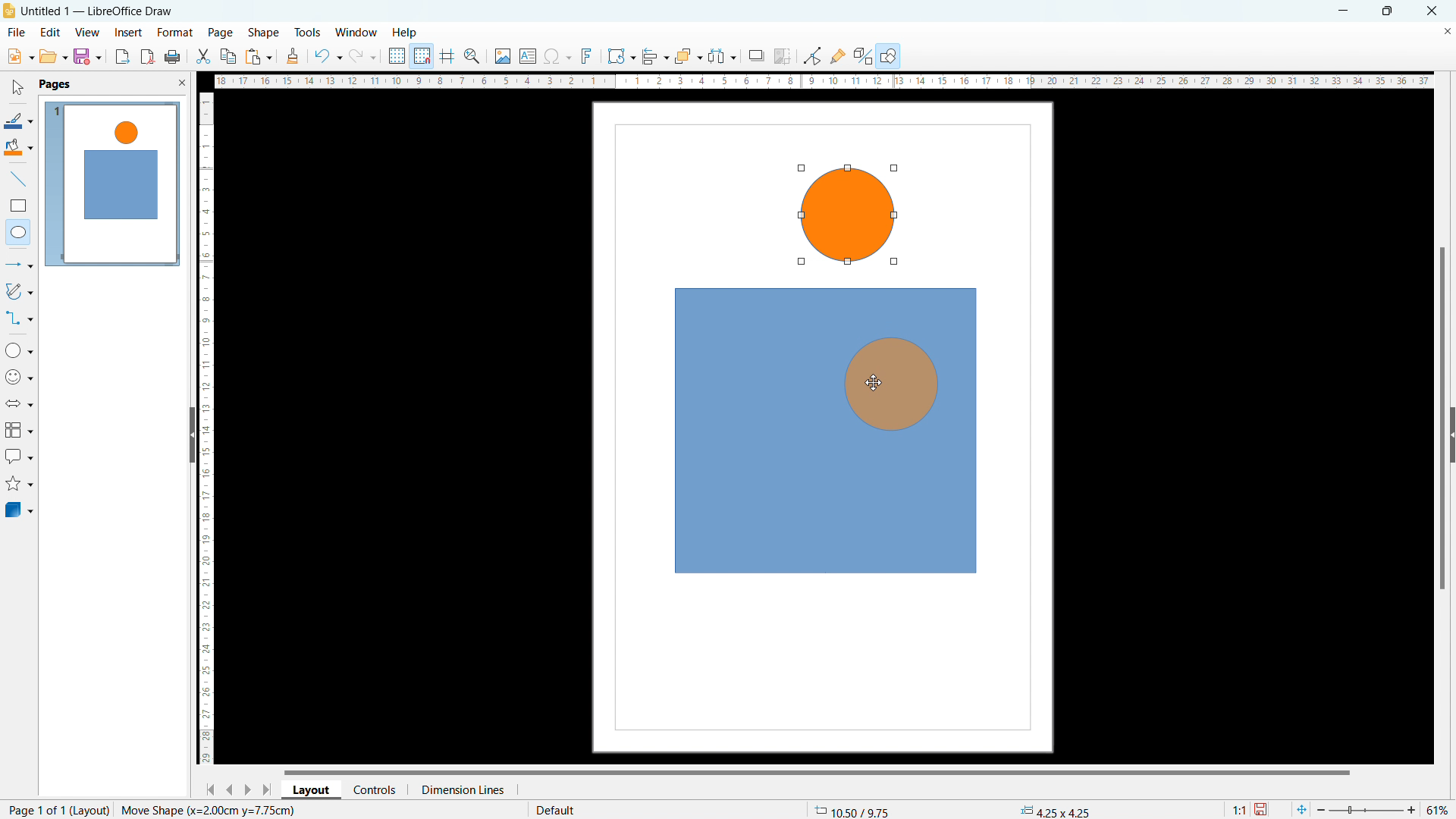 The width and height of the screenshot is (1456, 819). Describe the element at coordinates (1439, 810) in the screenshot. I see `current zoom level` at that location.